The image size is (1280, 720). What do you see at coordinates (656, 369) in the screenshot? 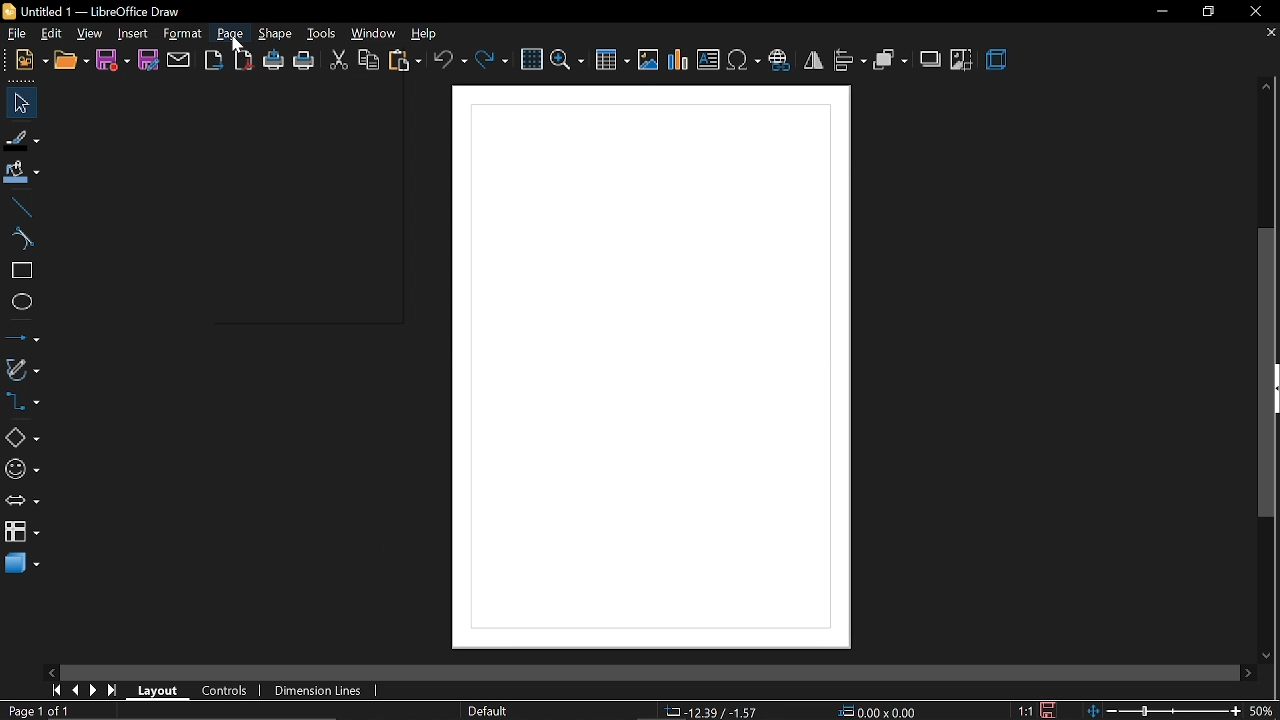
I see `canvas` at bounding box center [656, 369].